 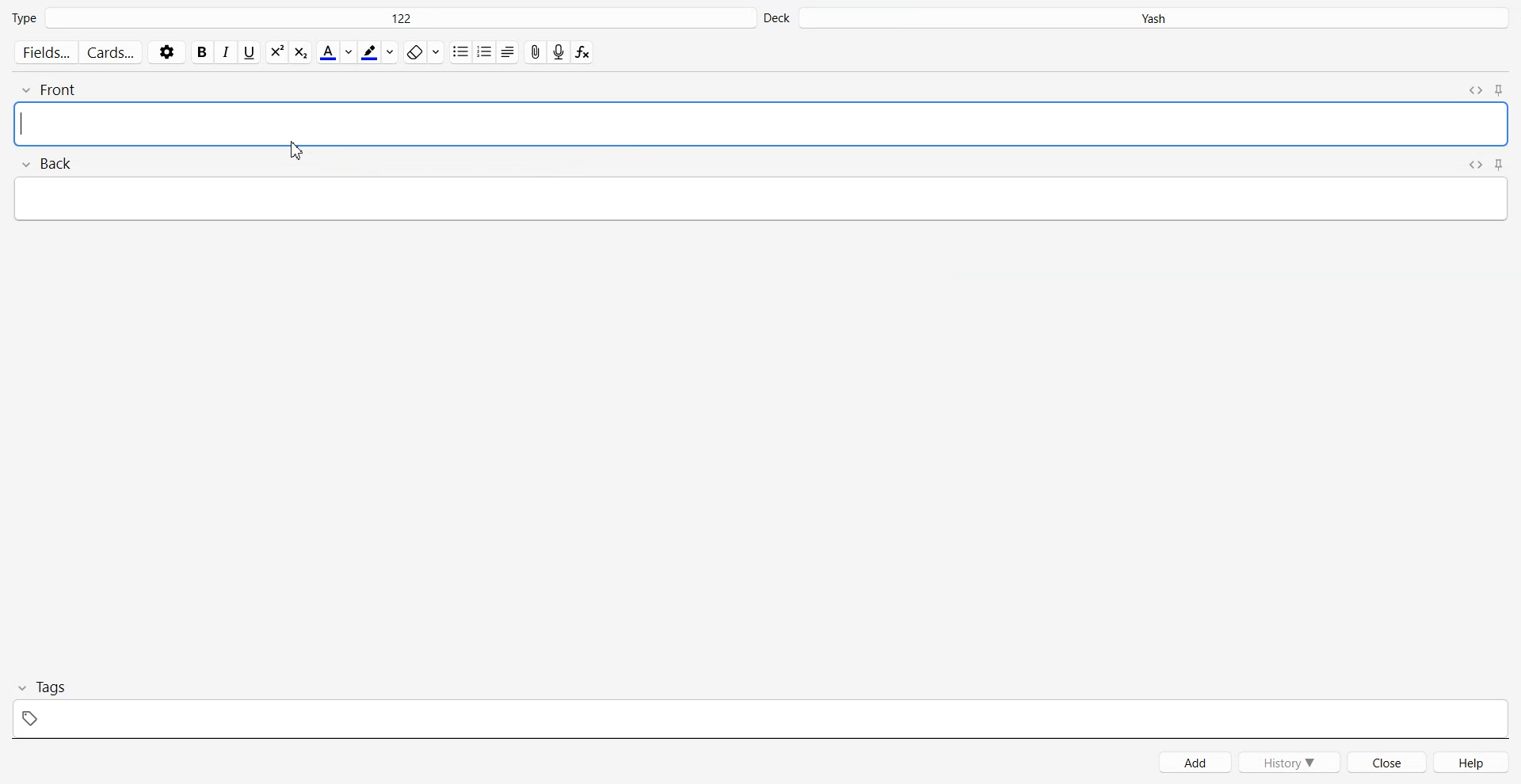 What do you see at coordinates (276, 51) in the screenshot?
I see `Subscript` at bounding box center [276, 51].